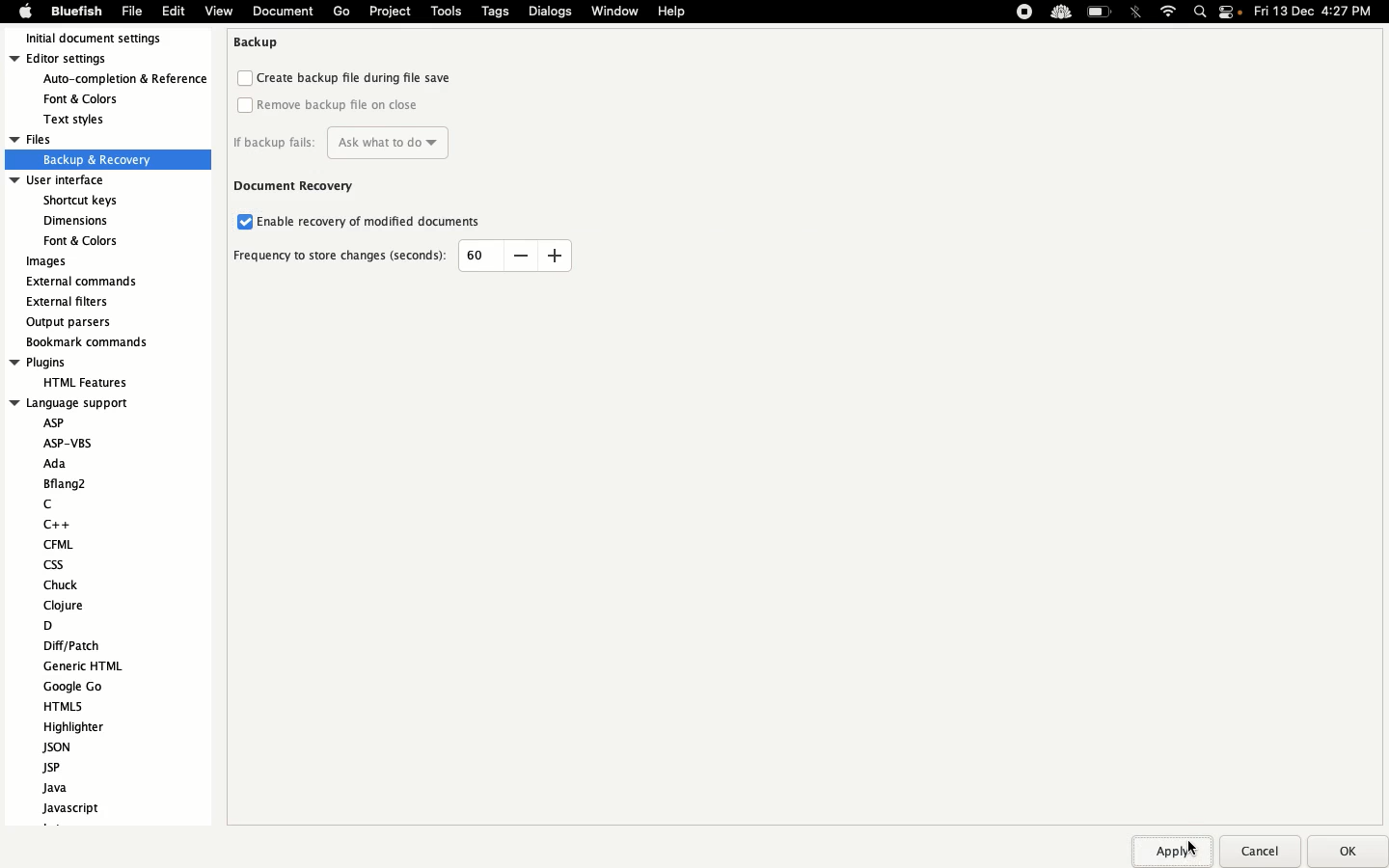  I want to click on Help, so click(670, 13).